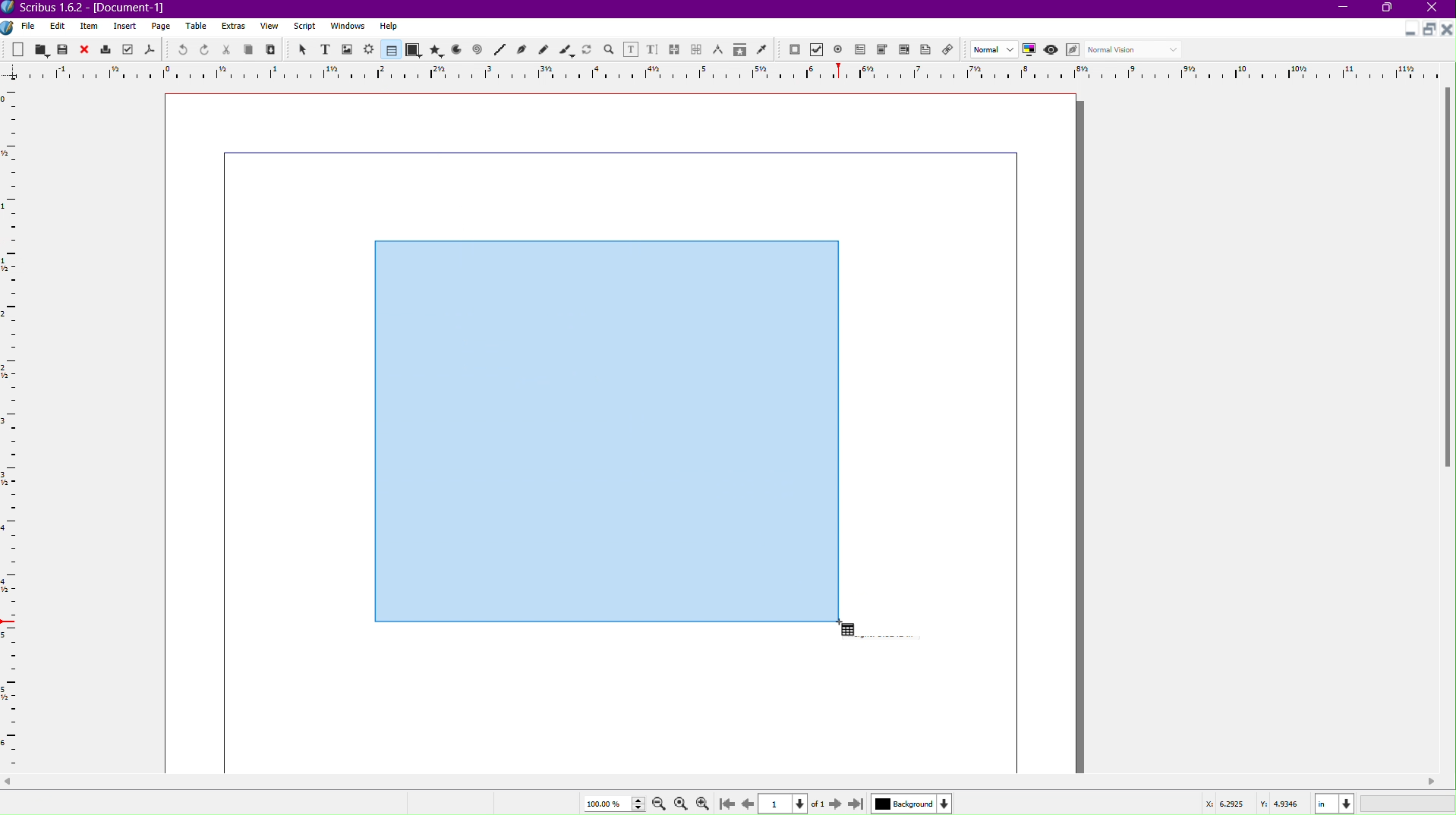 The image size is (1456, 815). What do you see at coordinates (728, 782) in the screenshot?
I see `Scrollbar` at bounding box center [728, 782].